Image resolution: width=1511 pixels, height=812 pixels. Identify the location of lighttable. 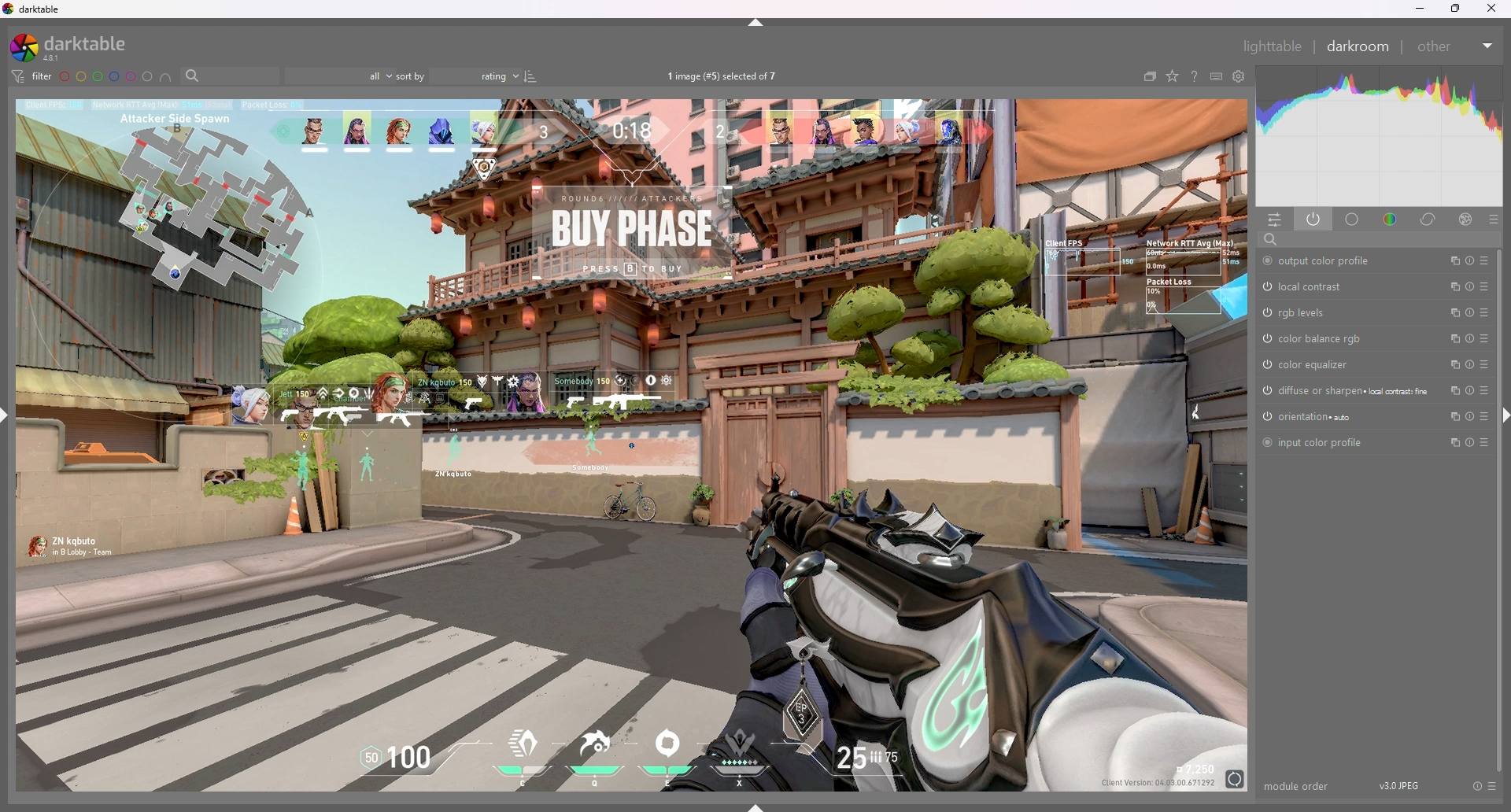
(1275, 47).